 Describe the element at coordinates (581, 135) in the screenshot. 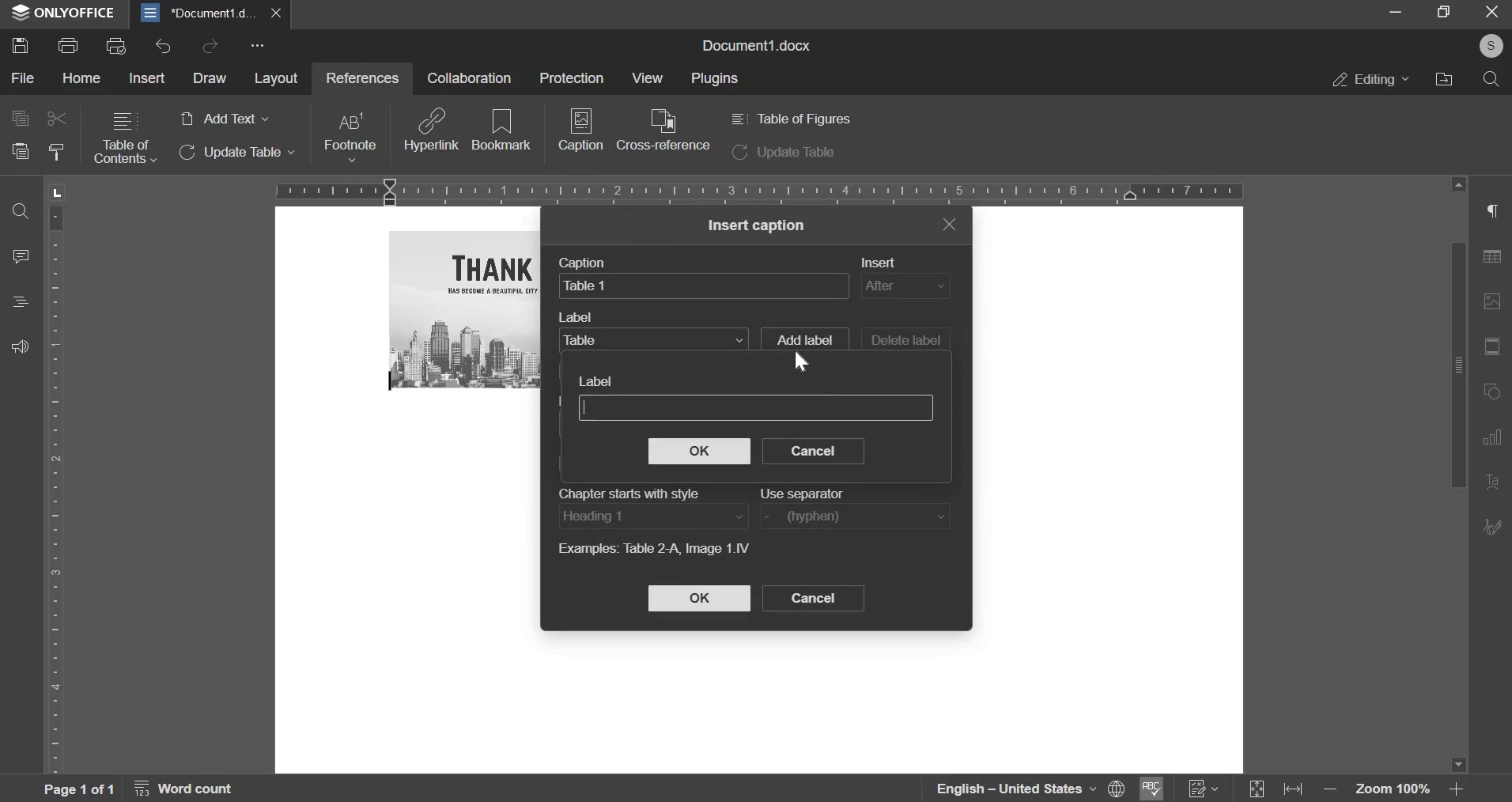

I see `caption` at that location.